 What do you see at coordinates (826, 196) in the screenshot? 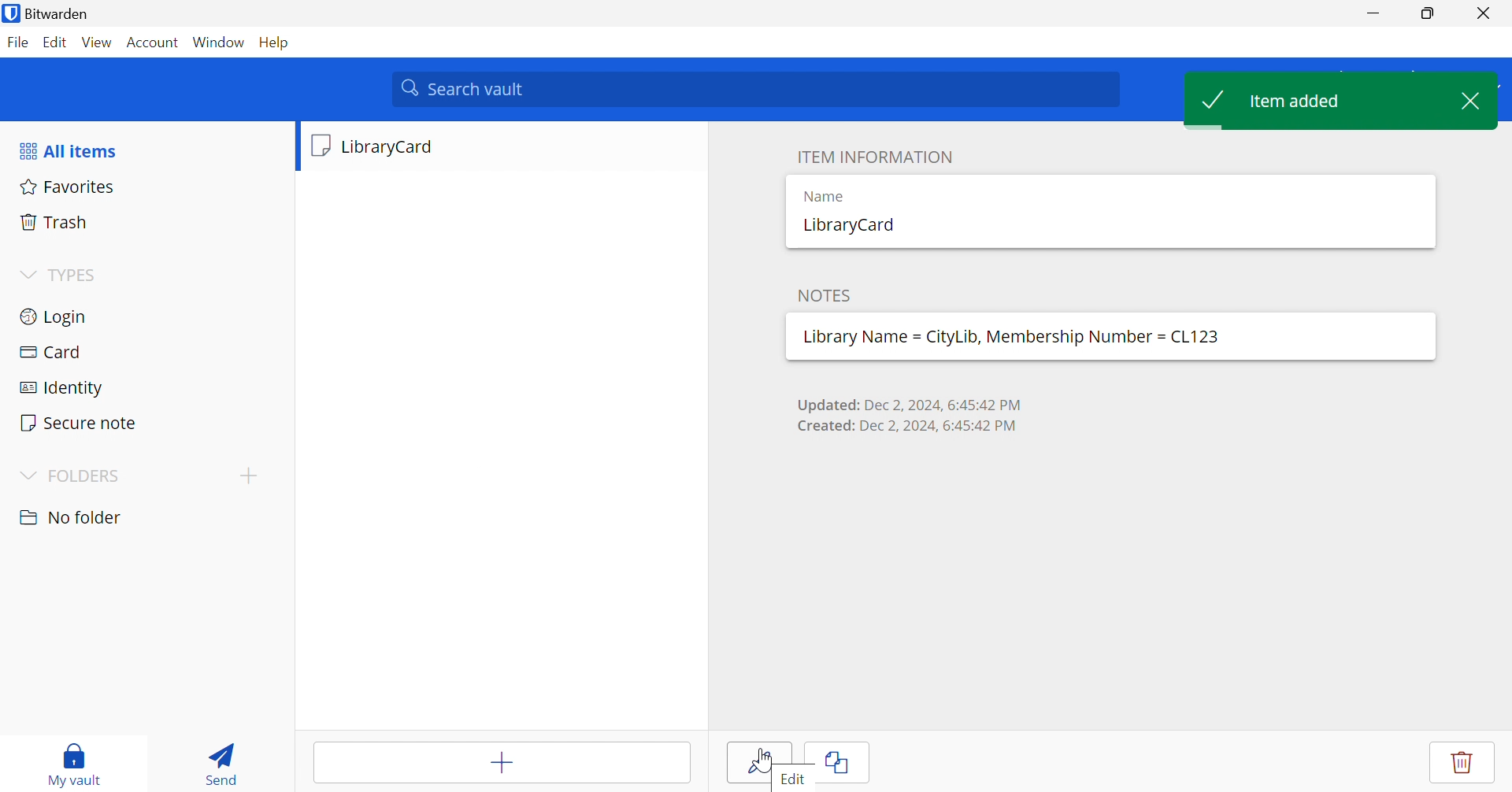
I see `Name` at bounding box center [826, 196].